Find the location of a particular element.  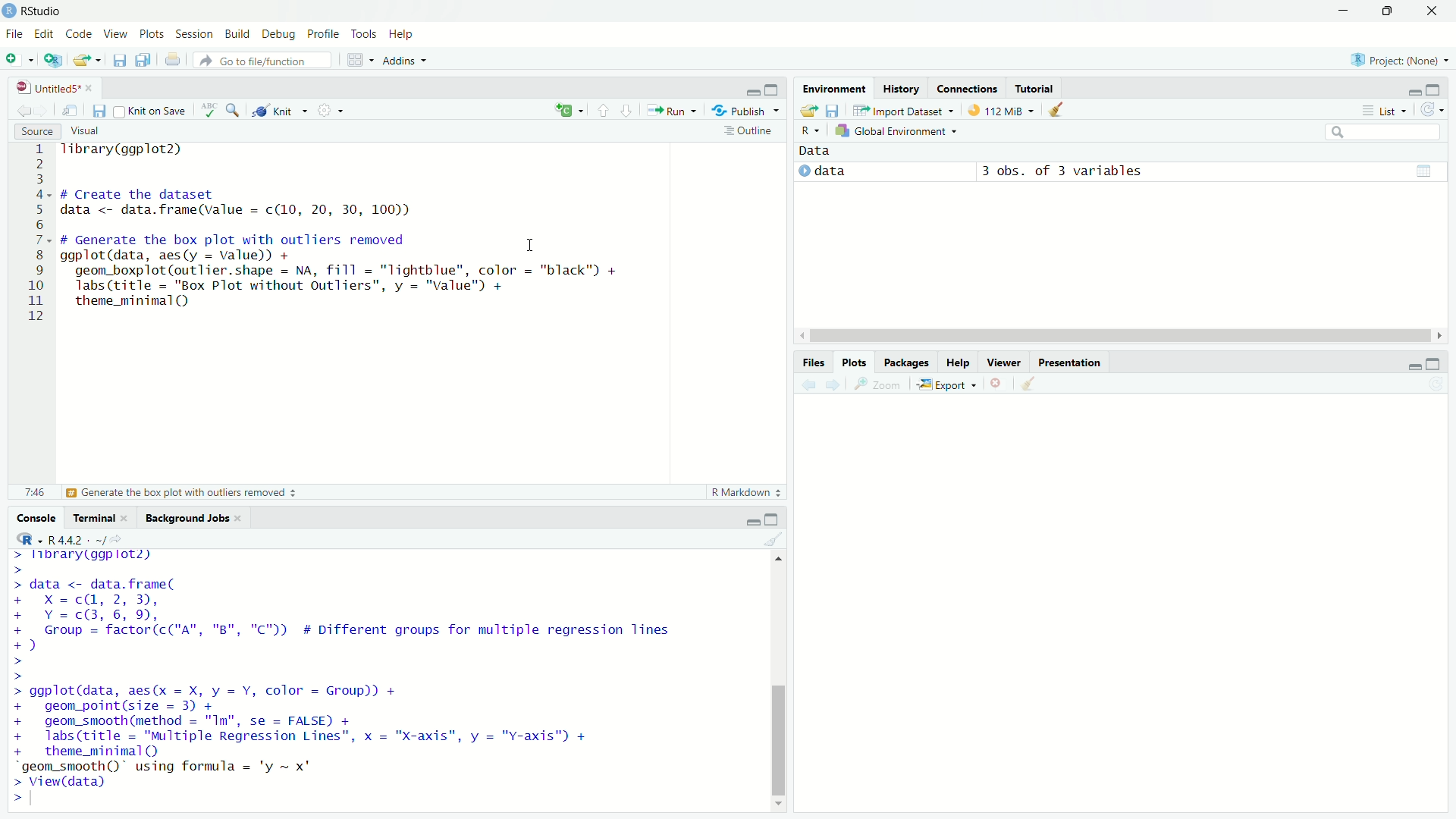

abc is located at coordinates (205, 108).